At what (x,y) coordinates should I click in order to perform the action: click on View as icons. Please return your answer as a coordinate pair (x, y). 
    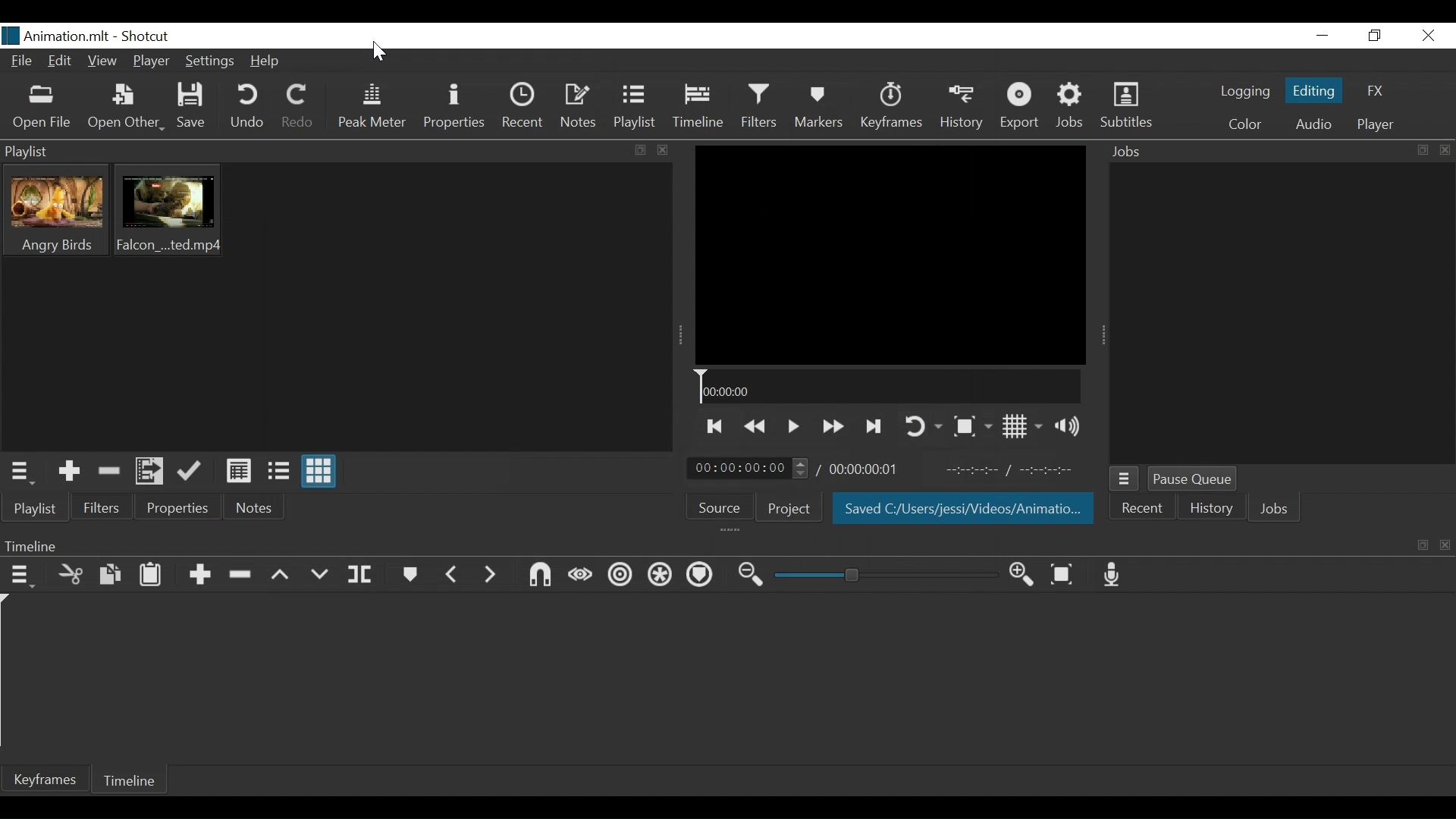
    Looking at the image, I should click on (322, 472).